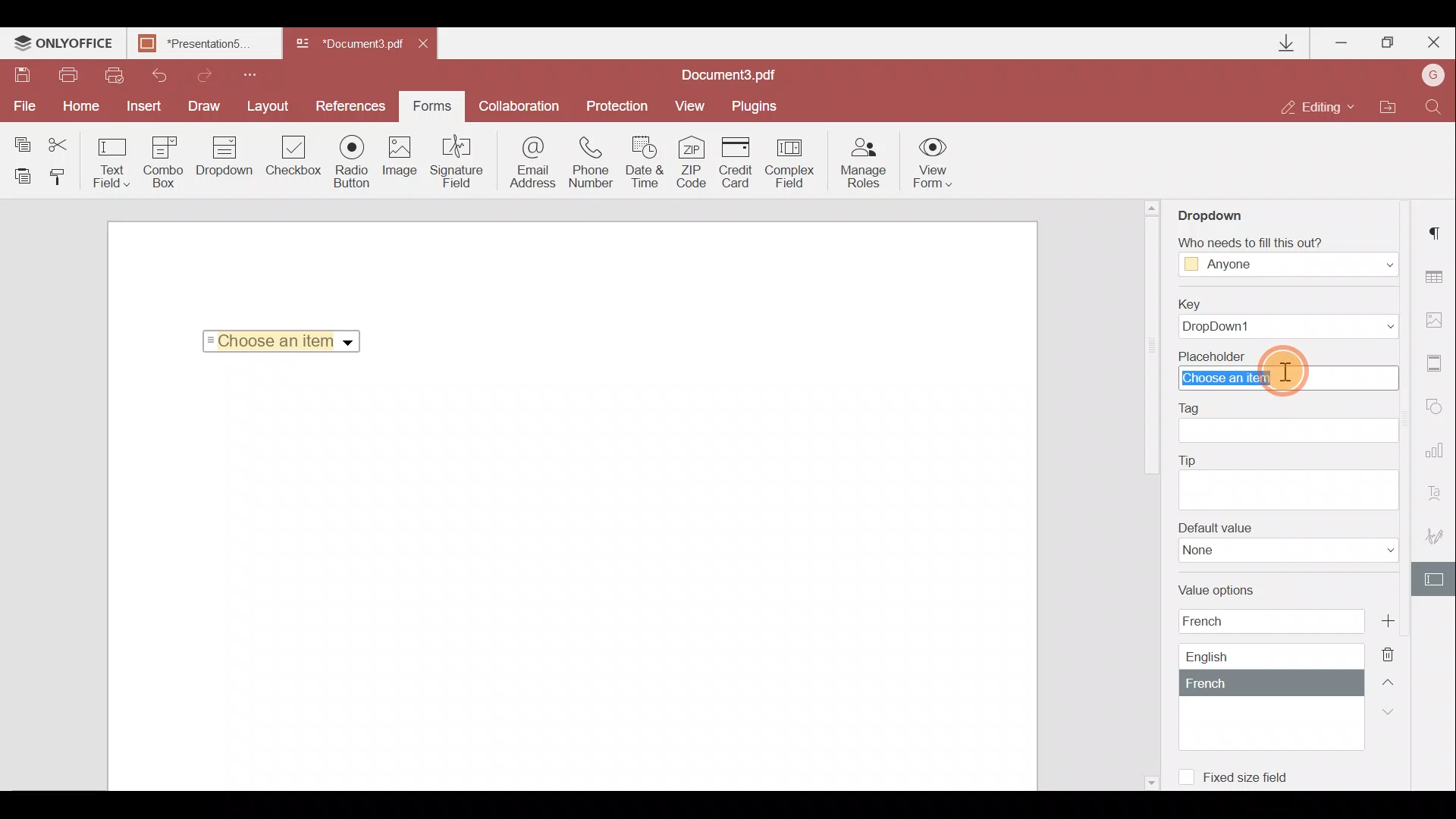  Describe the element at coordinates (112, 74) in the screenshot. I see `Quick print` at that location.